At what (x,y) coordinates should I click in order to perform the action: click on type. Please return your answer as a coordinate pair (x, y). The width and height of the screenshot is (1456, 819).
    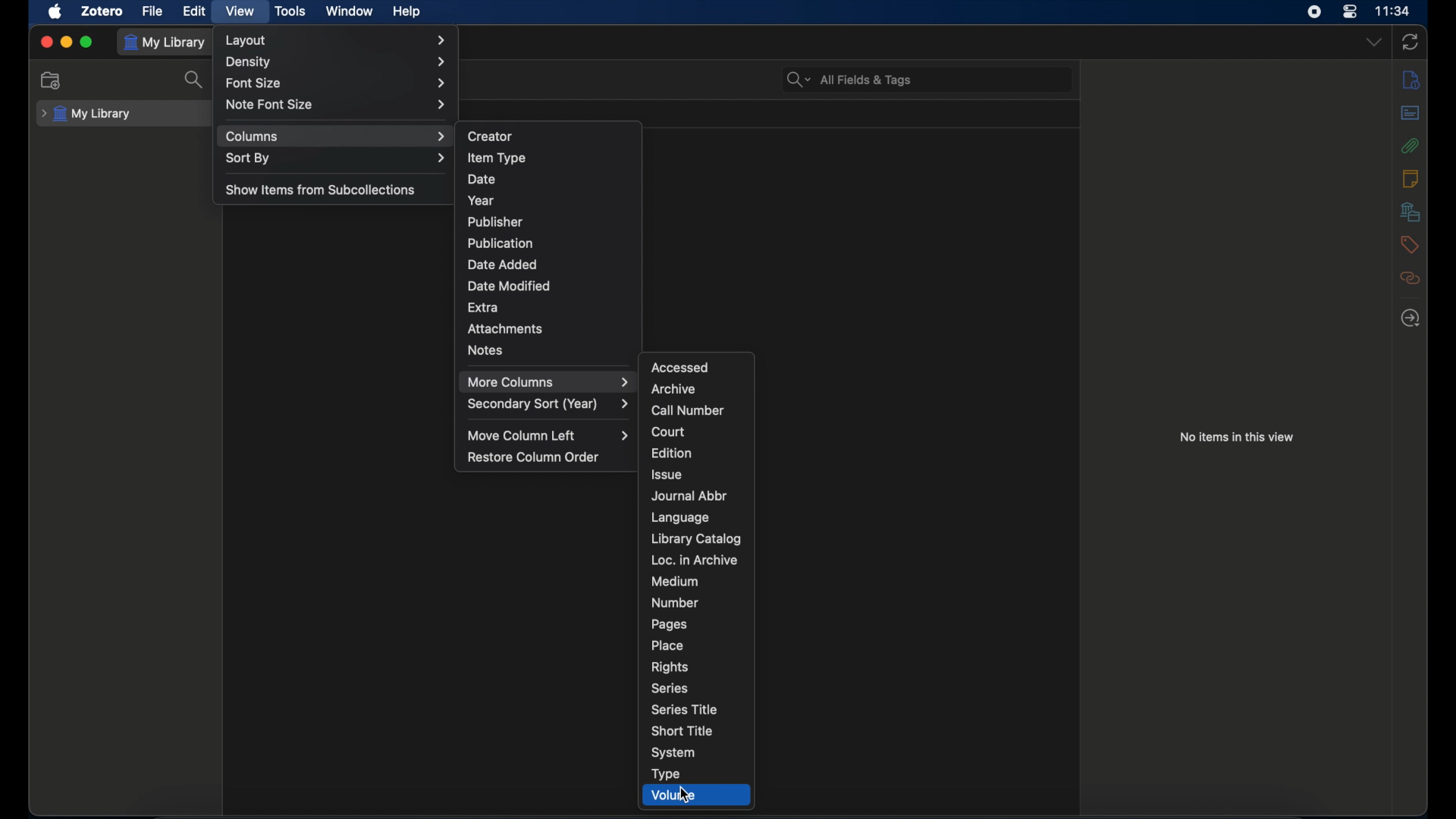
    Looking at the image, I should click on (667, 774).